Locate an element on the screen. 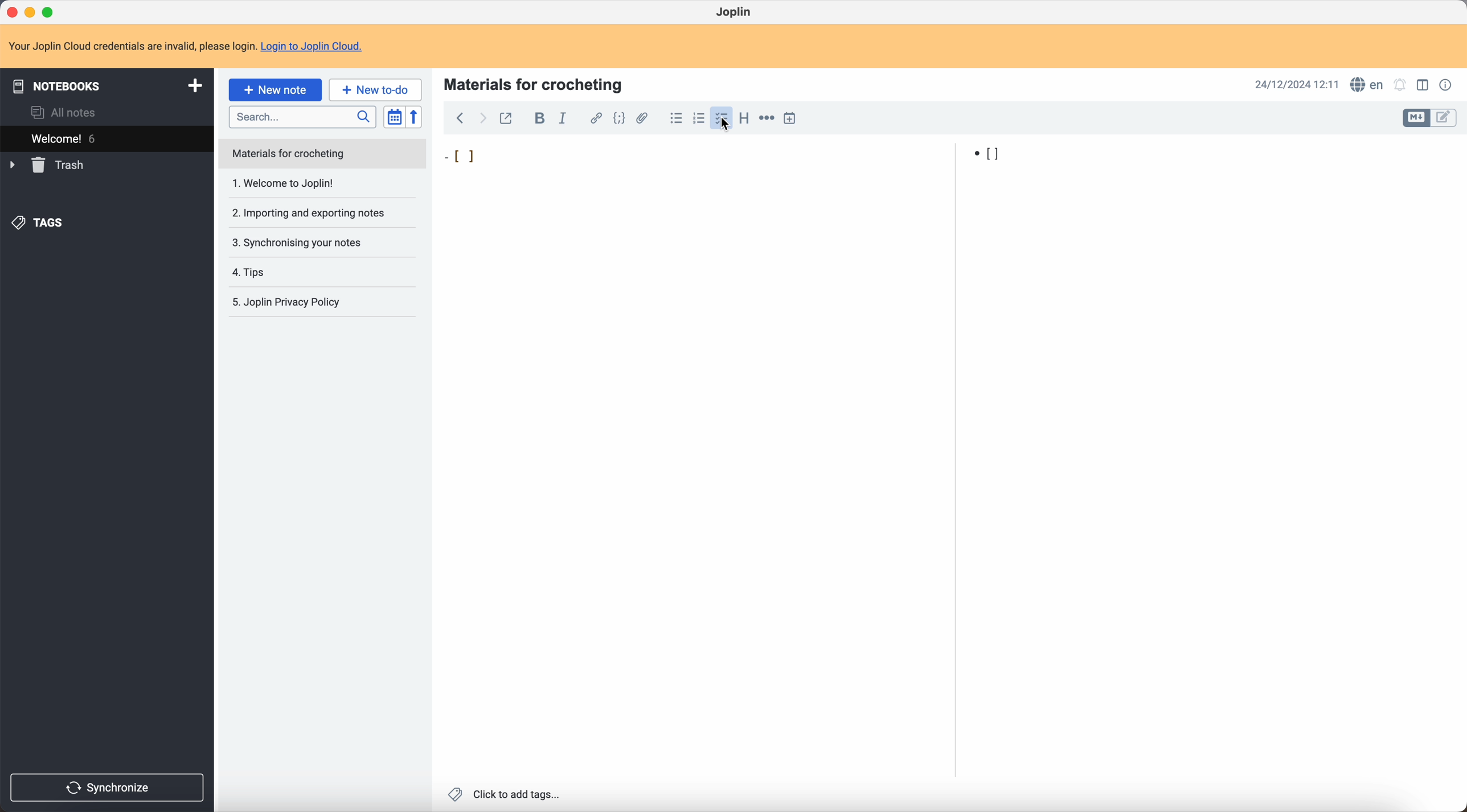 Image resolution: width=1467 pixels, height=812 pixels. foward is located at coordinates (481, 120).